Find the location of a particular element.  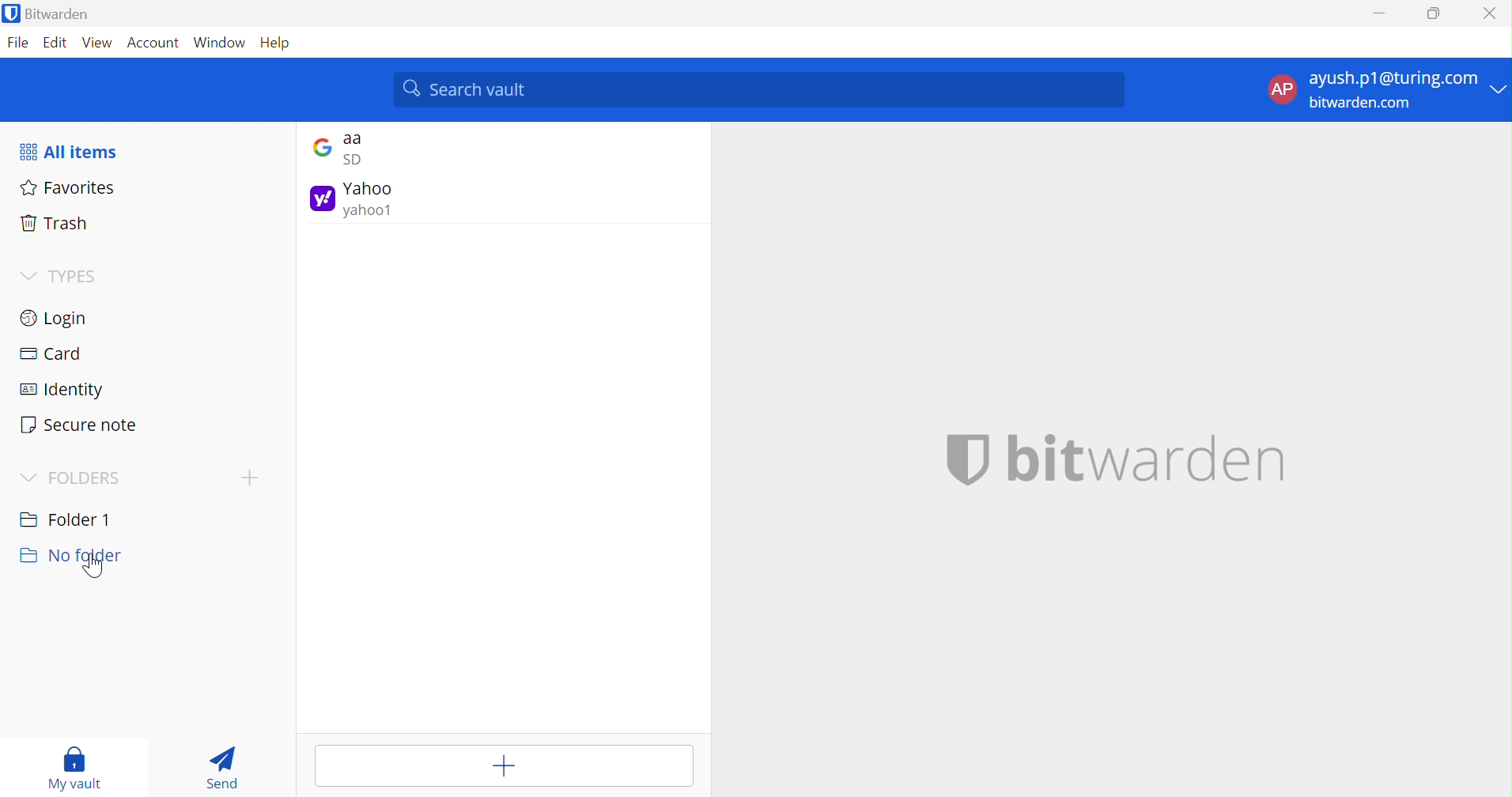

Add item is located at coordinates (505, 766).